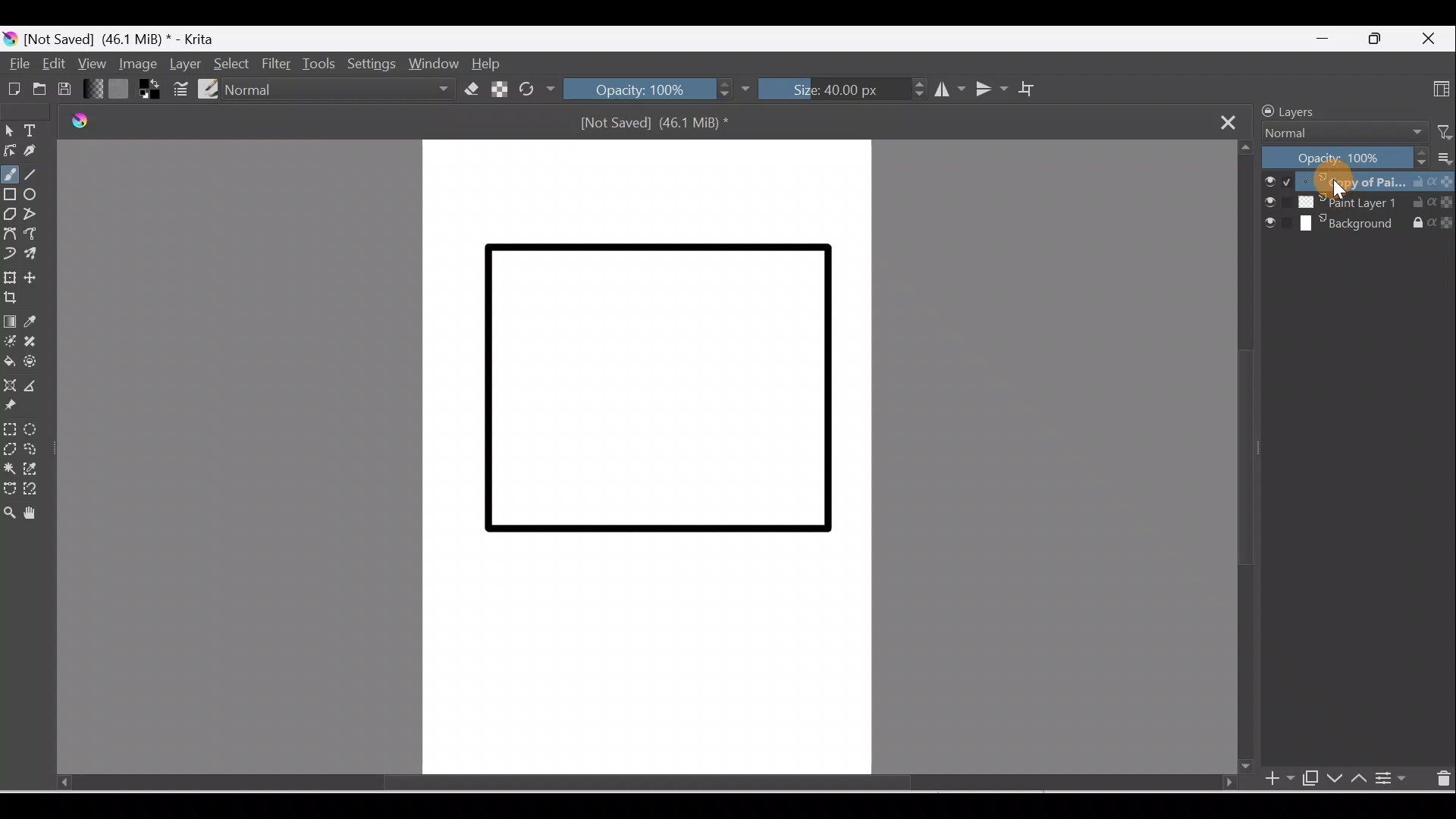  What do you see at coordinates (322, 62) in the screenshot?
I see `Tools` at bounding box center [322, 62].